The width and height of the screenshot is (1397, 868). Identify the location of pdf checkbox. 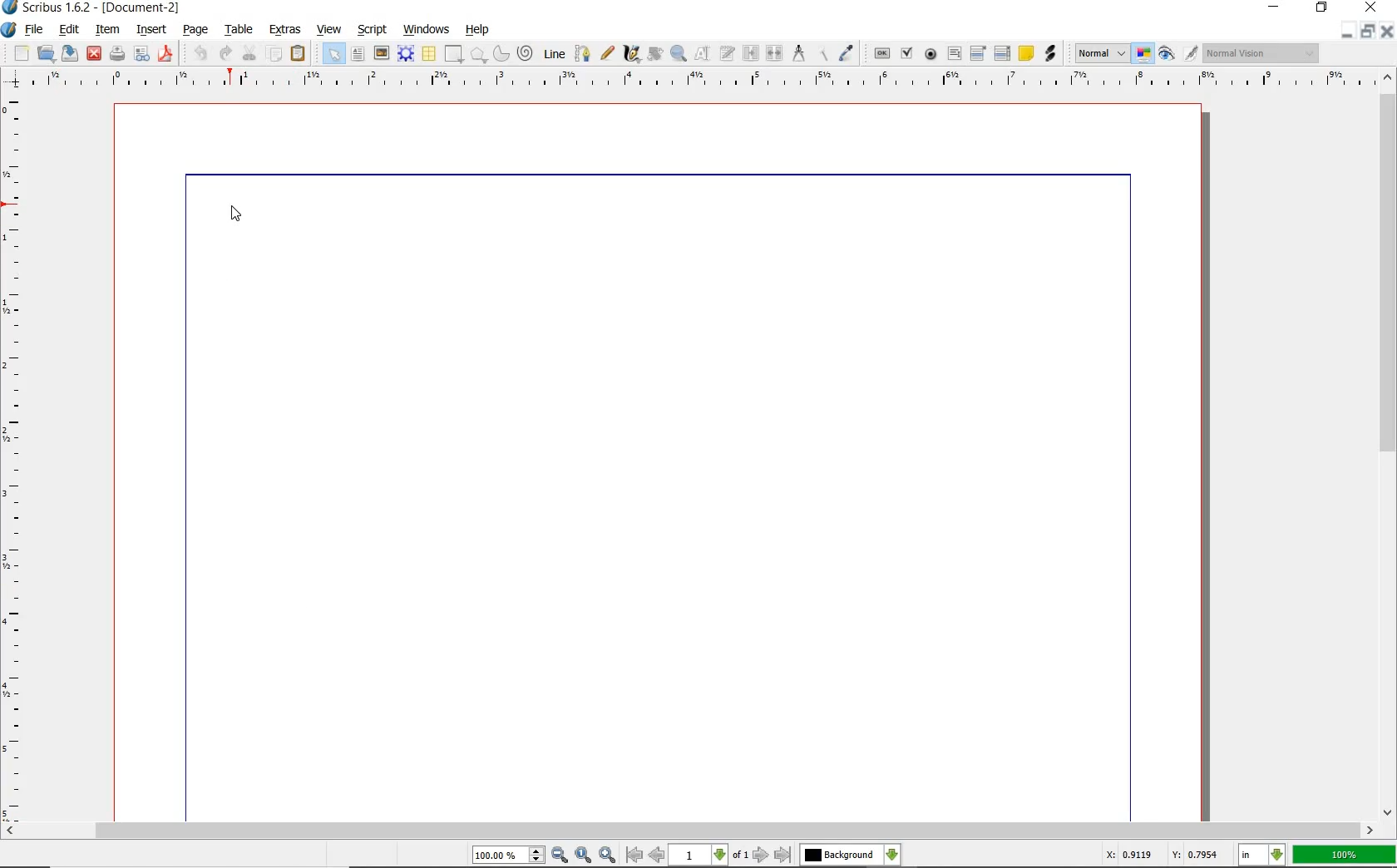
(905, 53).